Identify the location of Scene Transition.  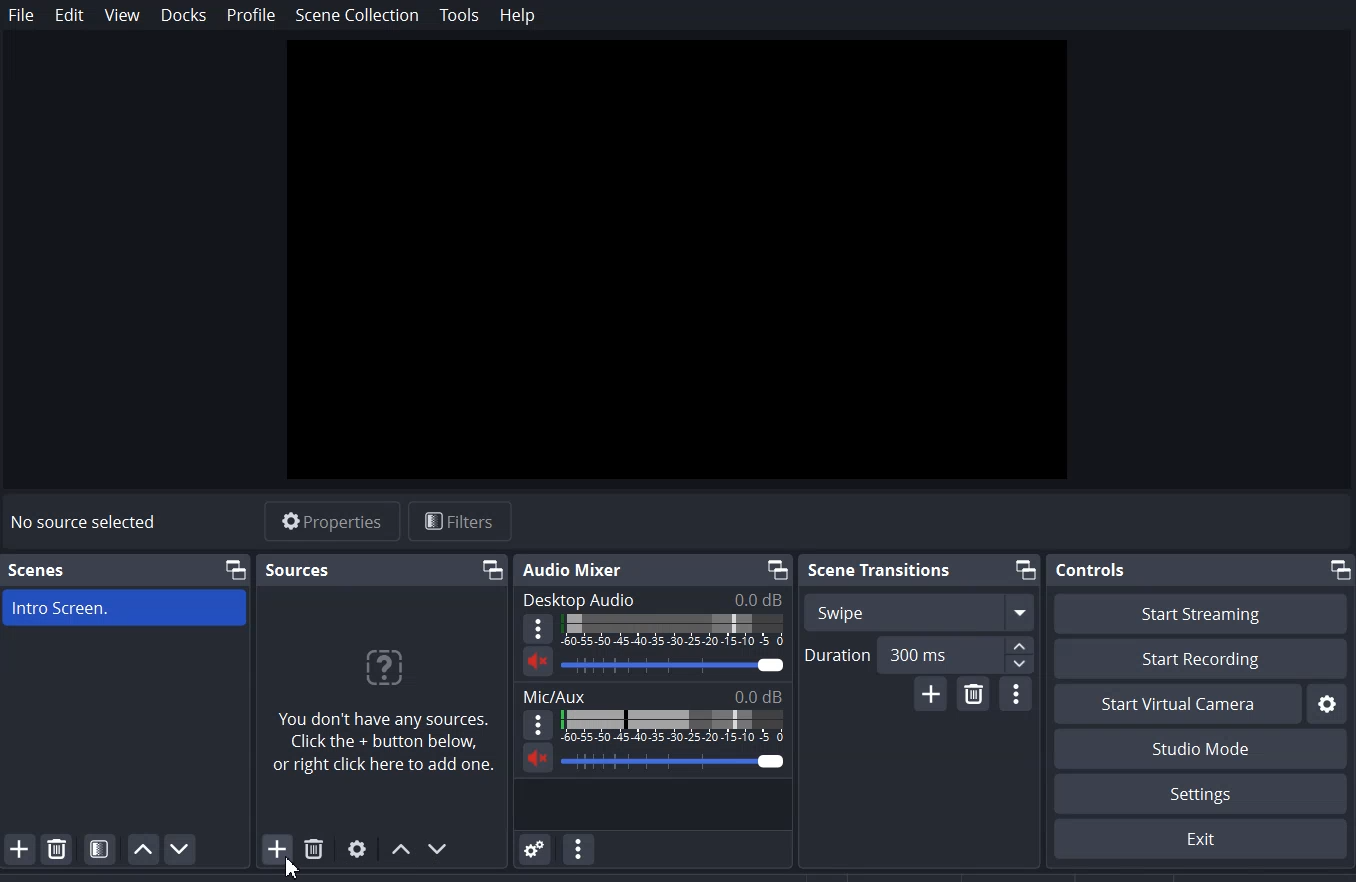
(878, 569).